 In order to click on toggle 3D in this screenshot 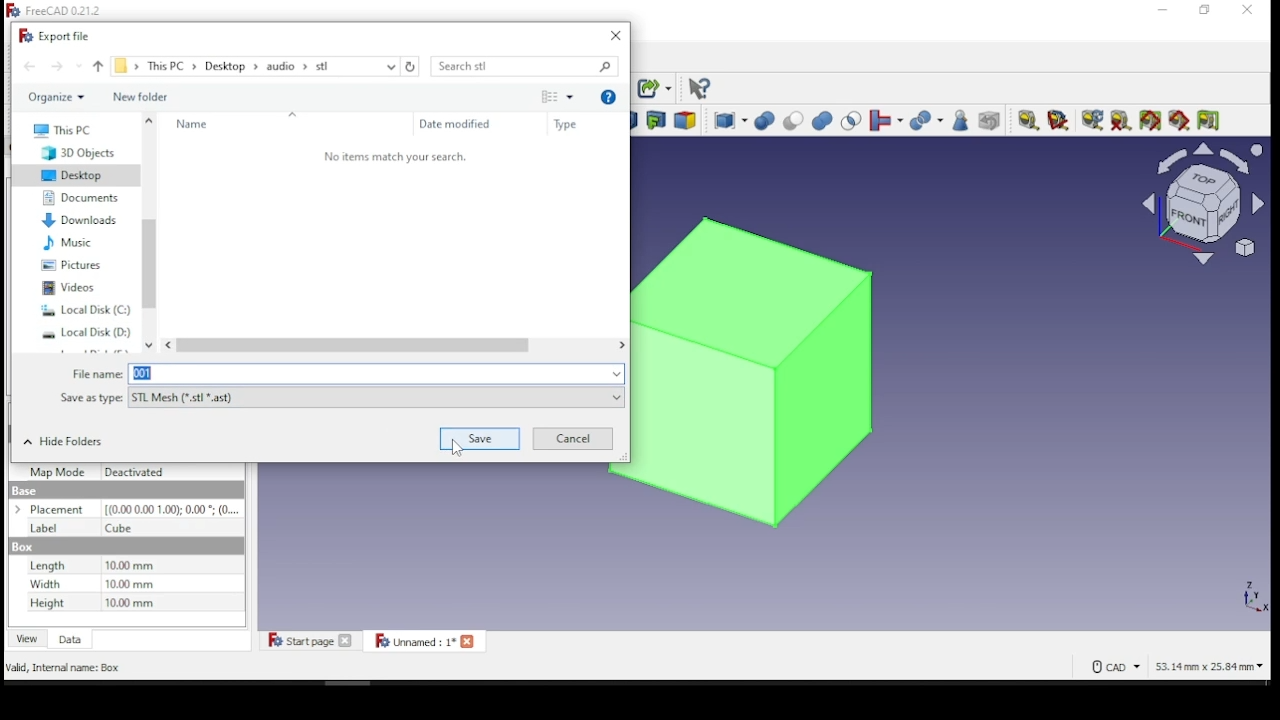, I will do `click(1181, 121)`.